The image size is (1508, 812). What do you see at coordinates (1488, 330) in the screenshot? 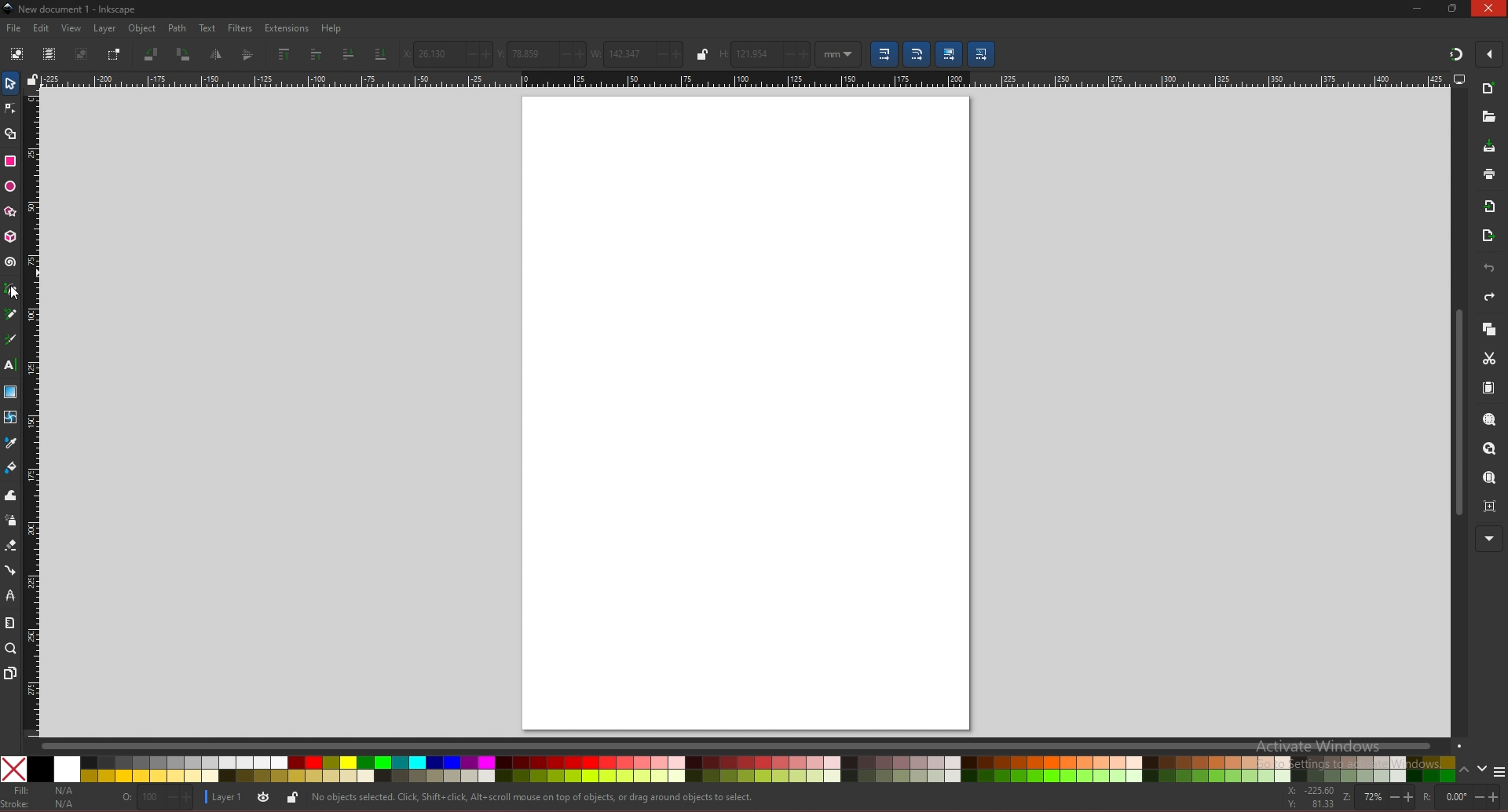
I see `copy` at bounding box center [1488, 330].